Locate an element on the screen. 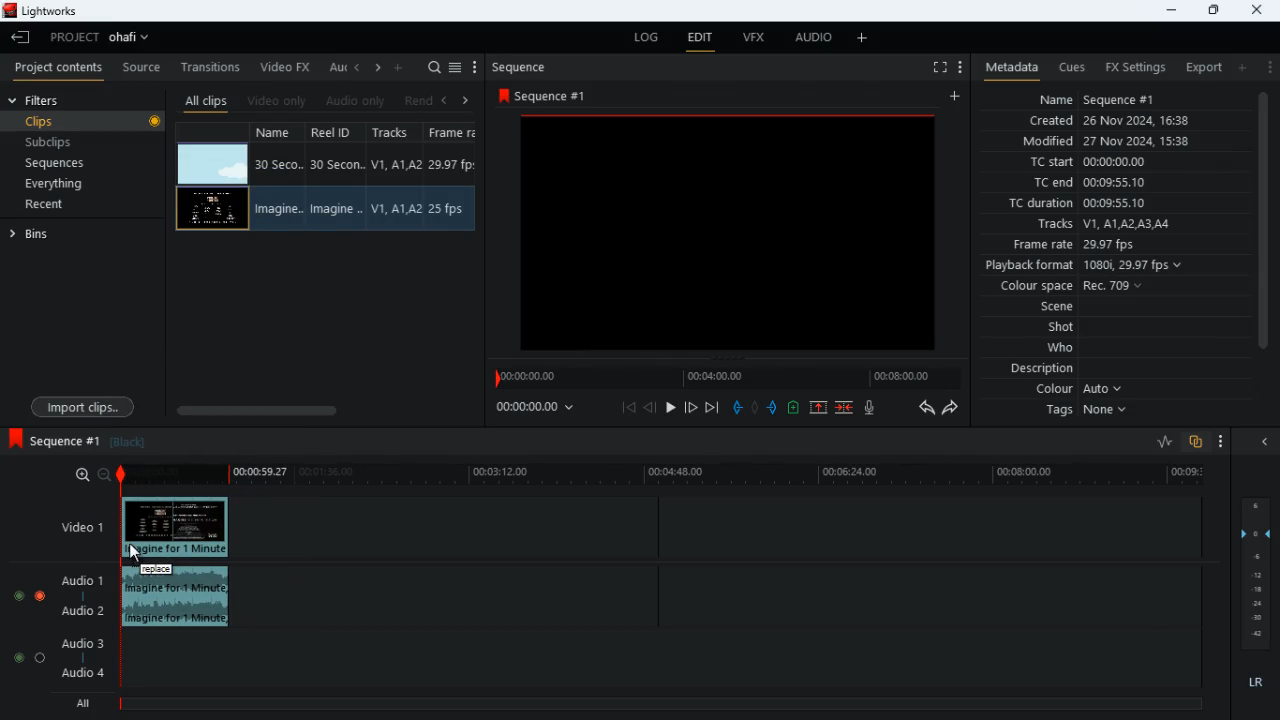  tc duration is located at coordinates (1075, 203).